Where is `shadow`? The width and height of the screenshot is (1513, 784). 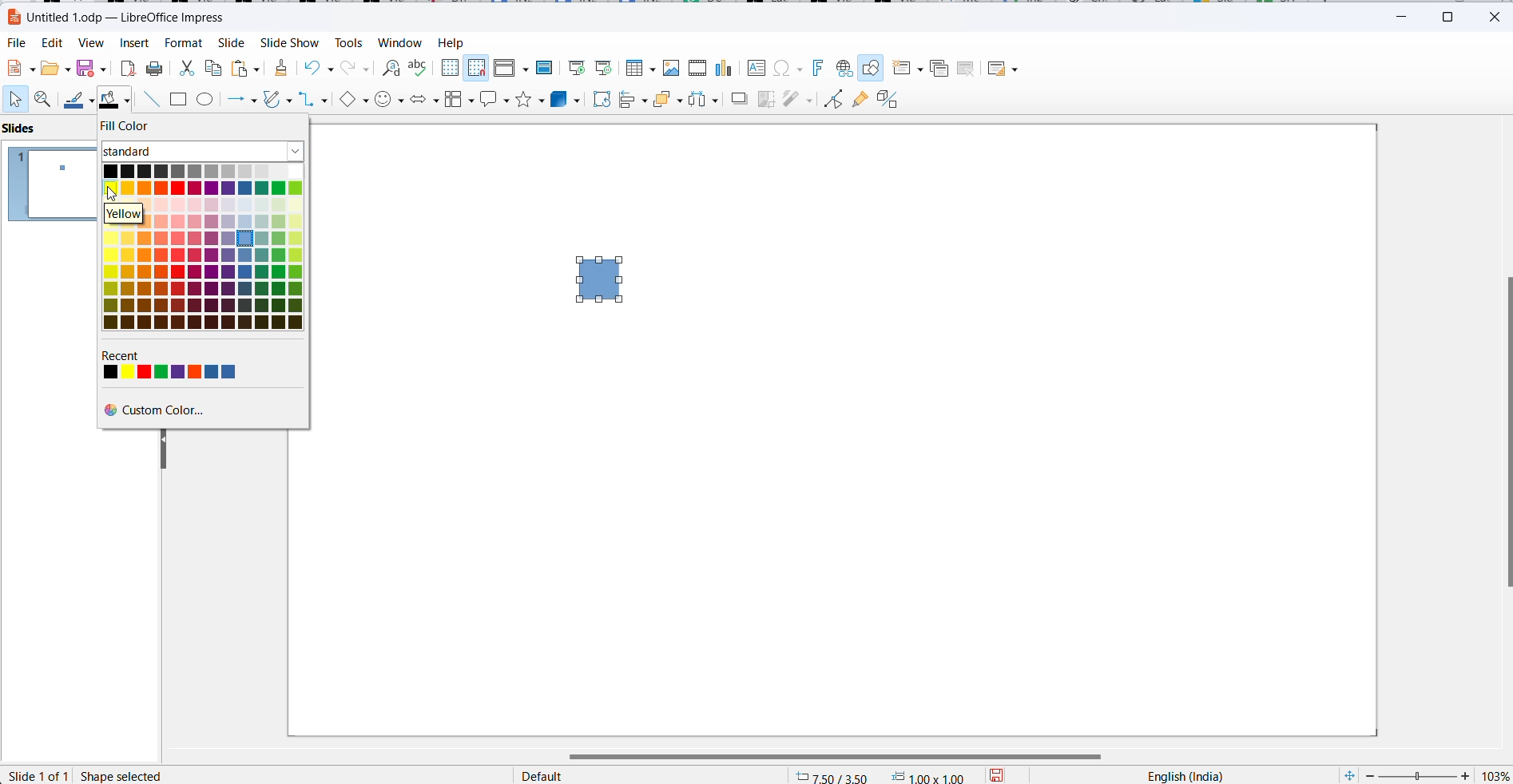 shadow is located at coordinates (738, 101).